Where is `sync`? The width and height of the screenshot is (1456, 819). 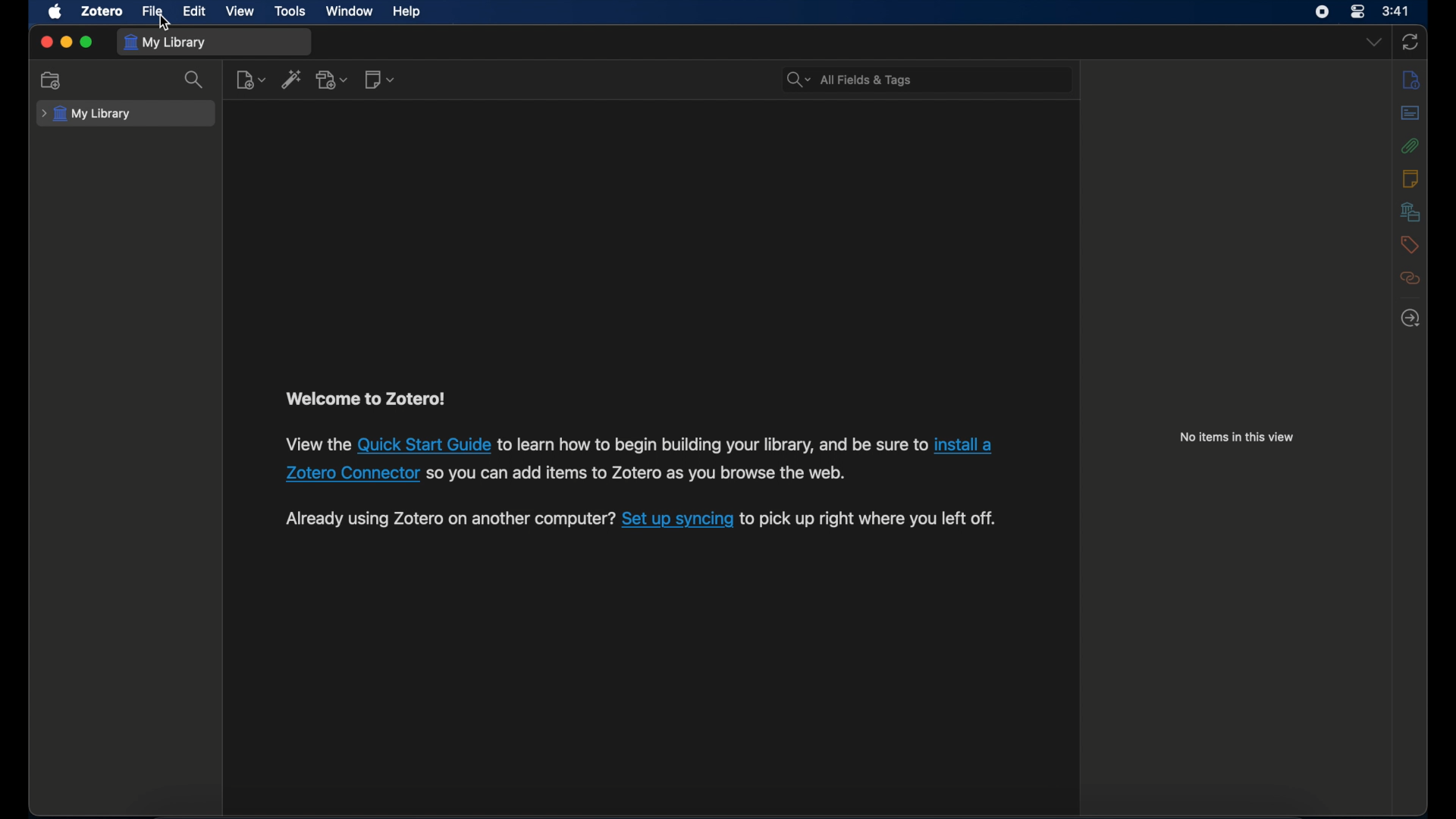
sync is located at coordinates (1410, 42).